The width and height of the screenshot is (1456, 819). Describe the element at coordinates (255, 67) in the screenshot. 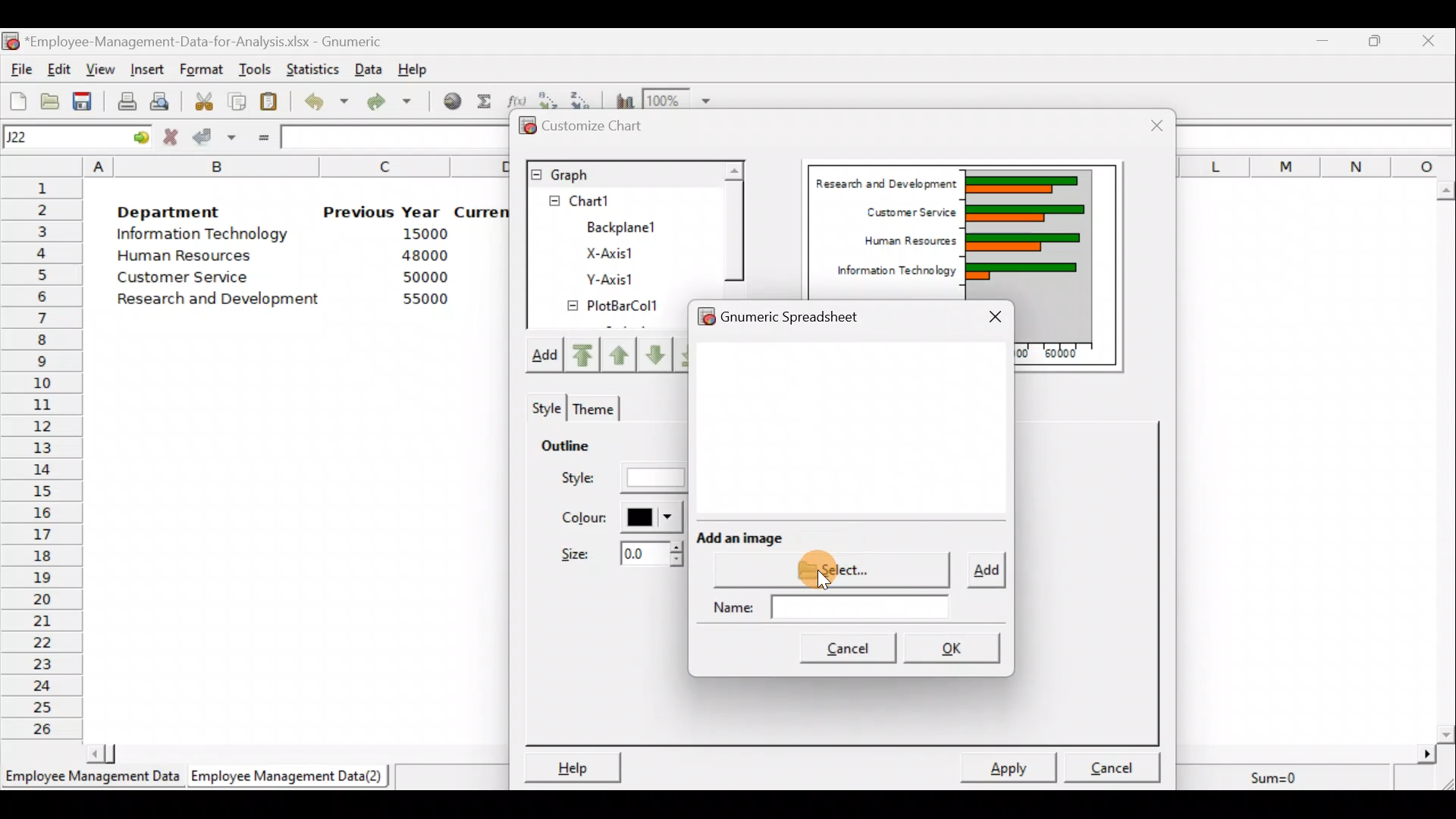

I see `Tools` at that location.